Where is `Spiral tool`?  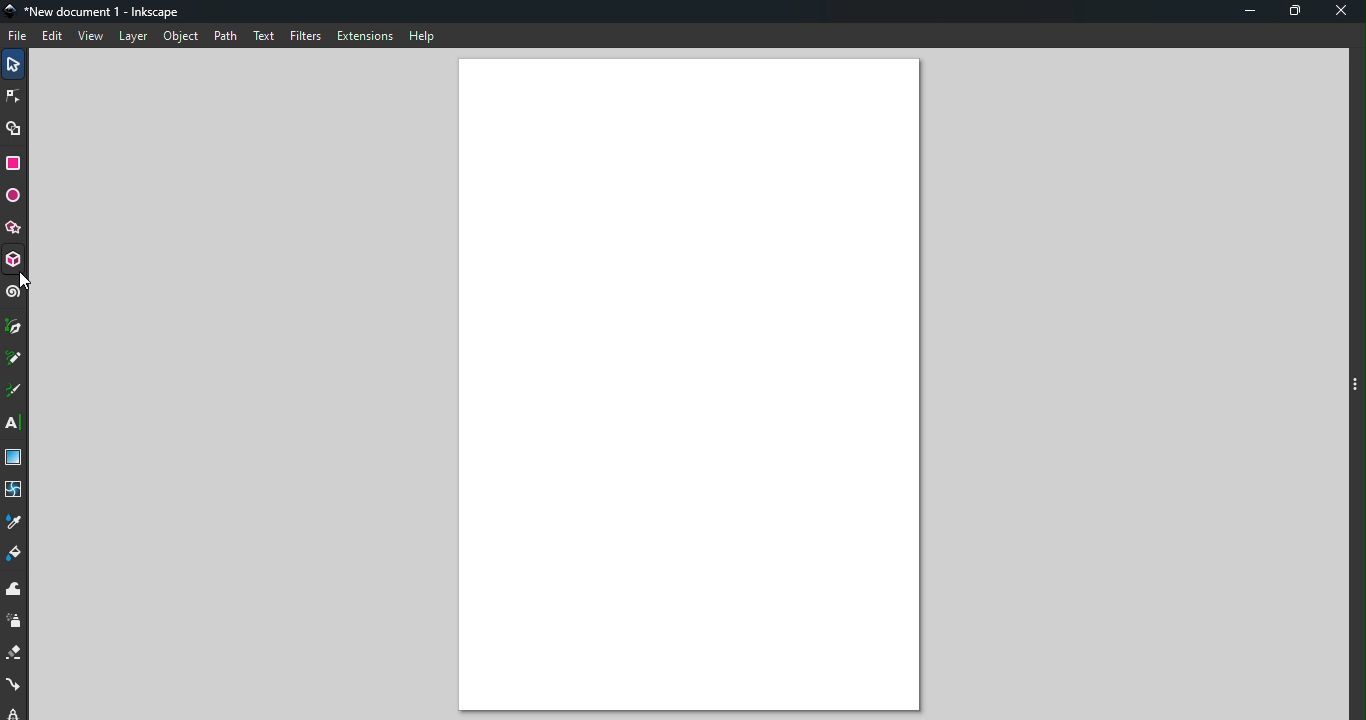 Spiral tool is located at coordinates (14, 296).